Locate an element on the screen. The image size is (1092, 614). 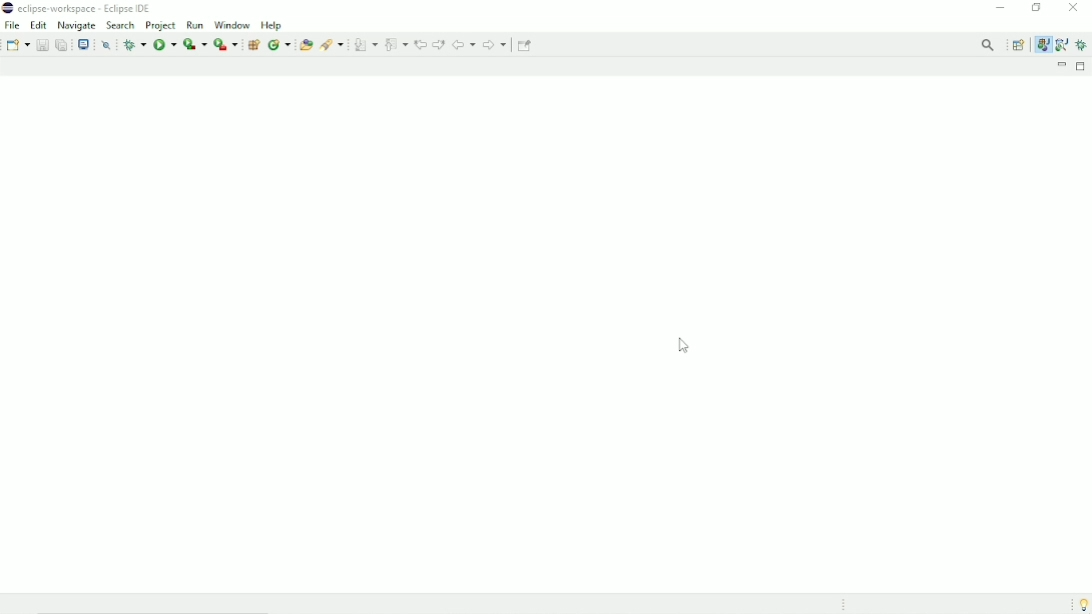
Edit is located at coordinates (39, 25).